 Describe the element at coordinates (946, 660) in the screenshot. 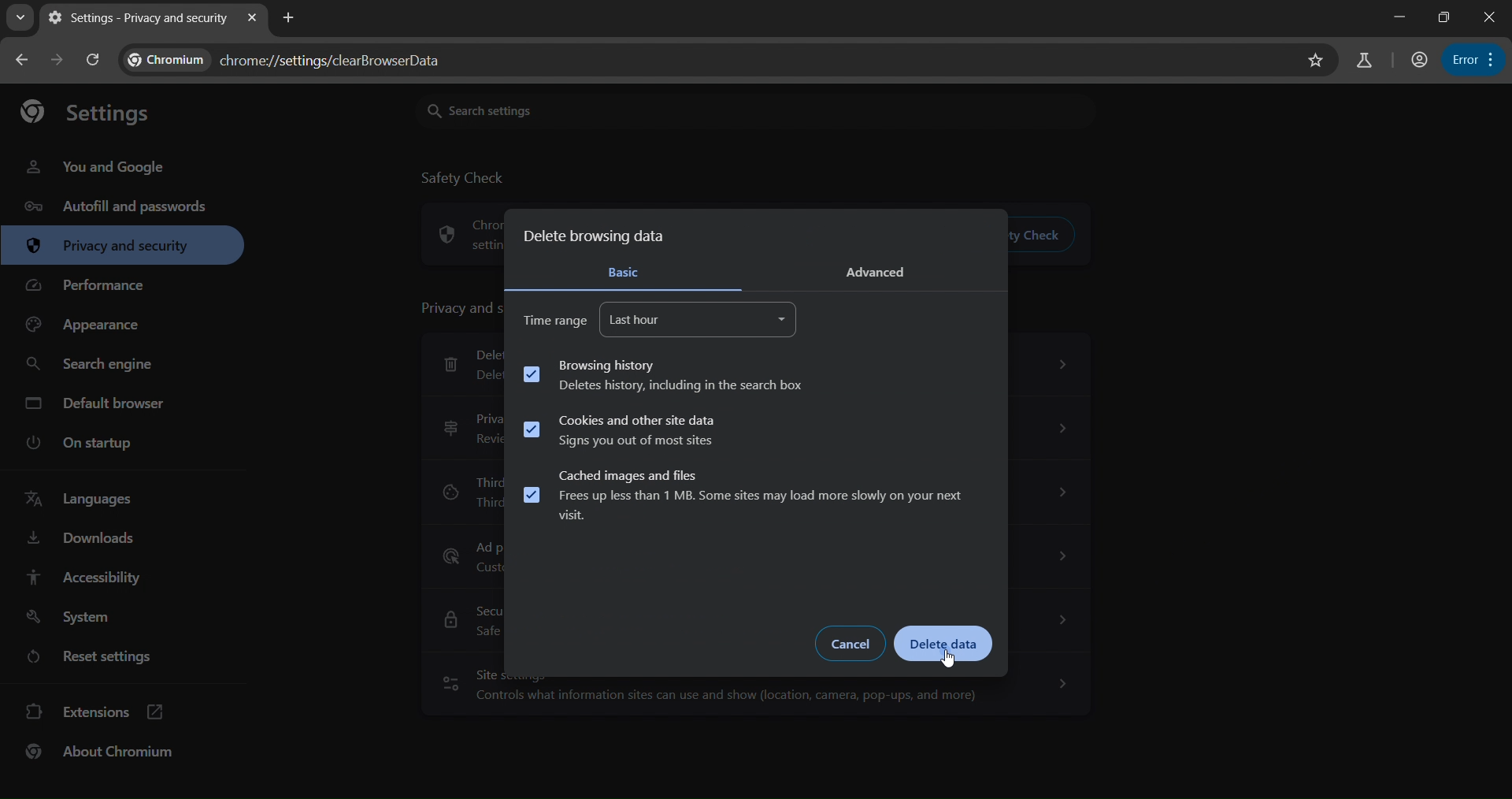

I see `cursor` at that location.